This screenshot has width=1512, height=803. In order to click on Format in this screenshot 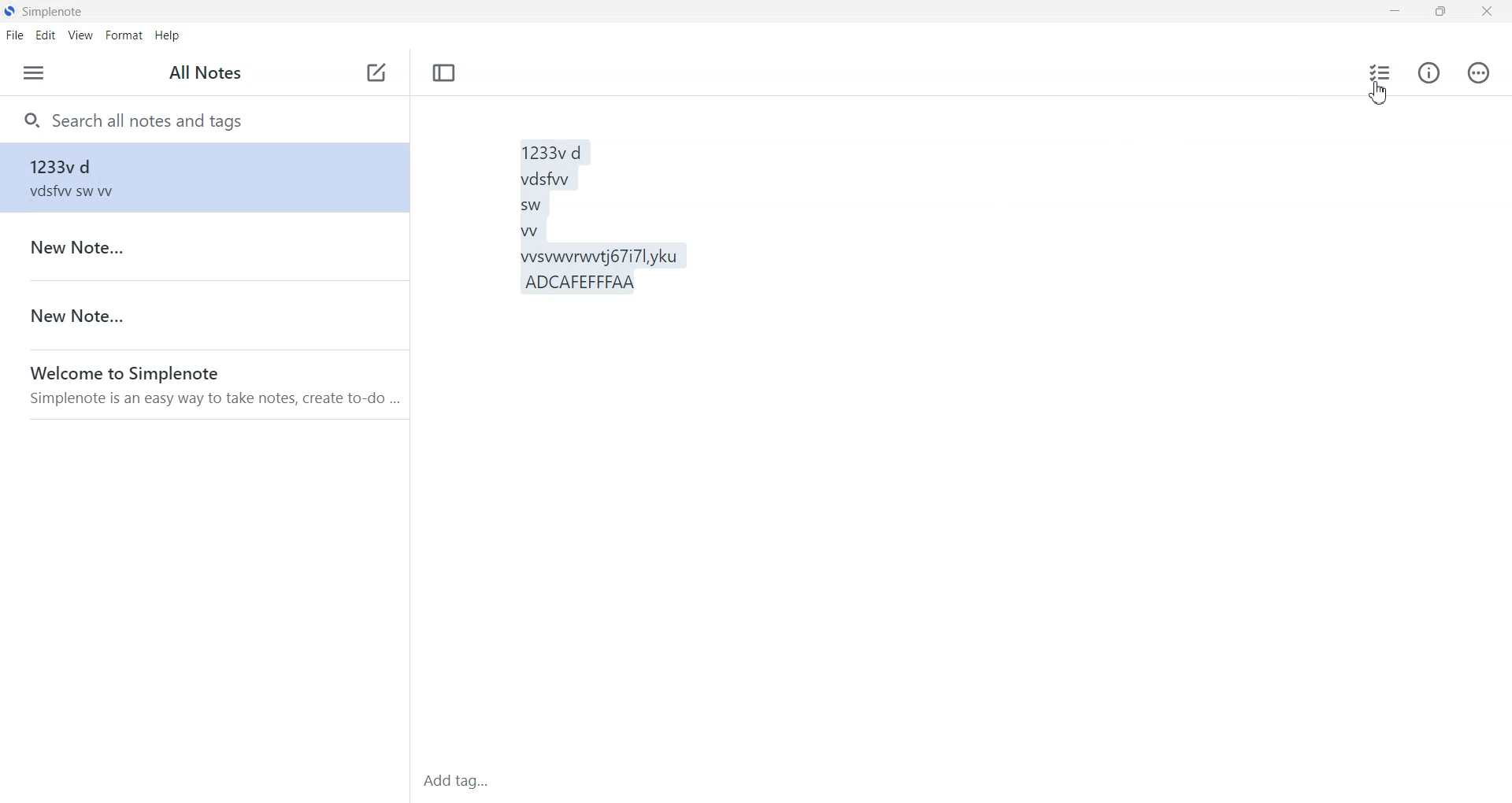, I will do `click(124, 35)`.